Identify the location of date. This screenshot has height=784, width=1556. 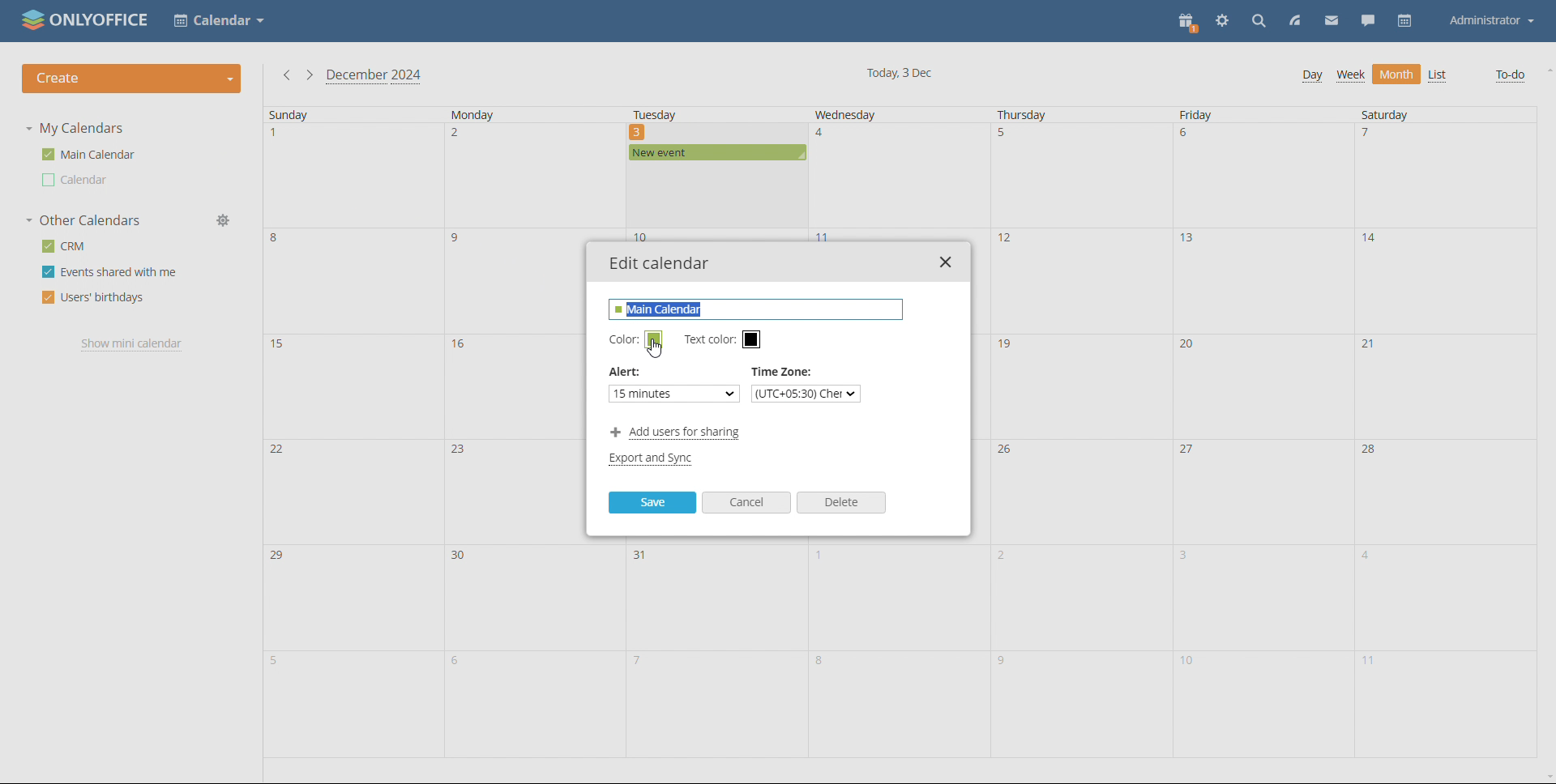
(533, 703).